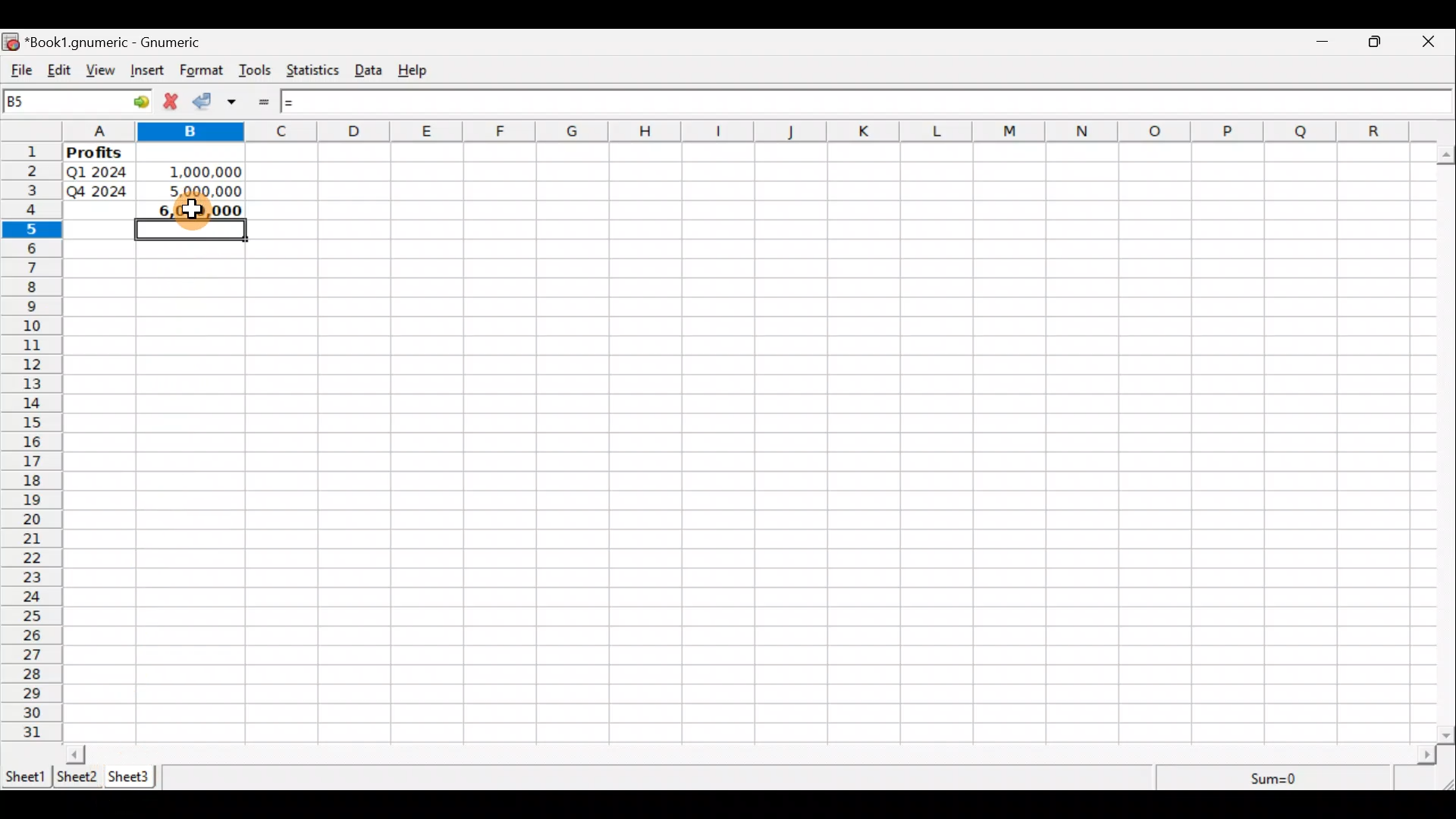 Image resolution: width=1456 pixels, height=819 pixels. Describe the element at coordinates (737, 131) in the screenshot. I see `alphabets row` at that location.